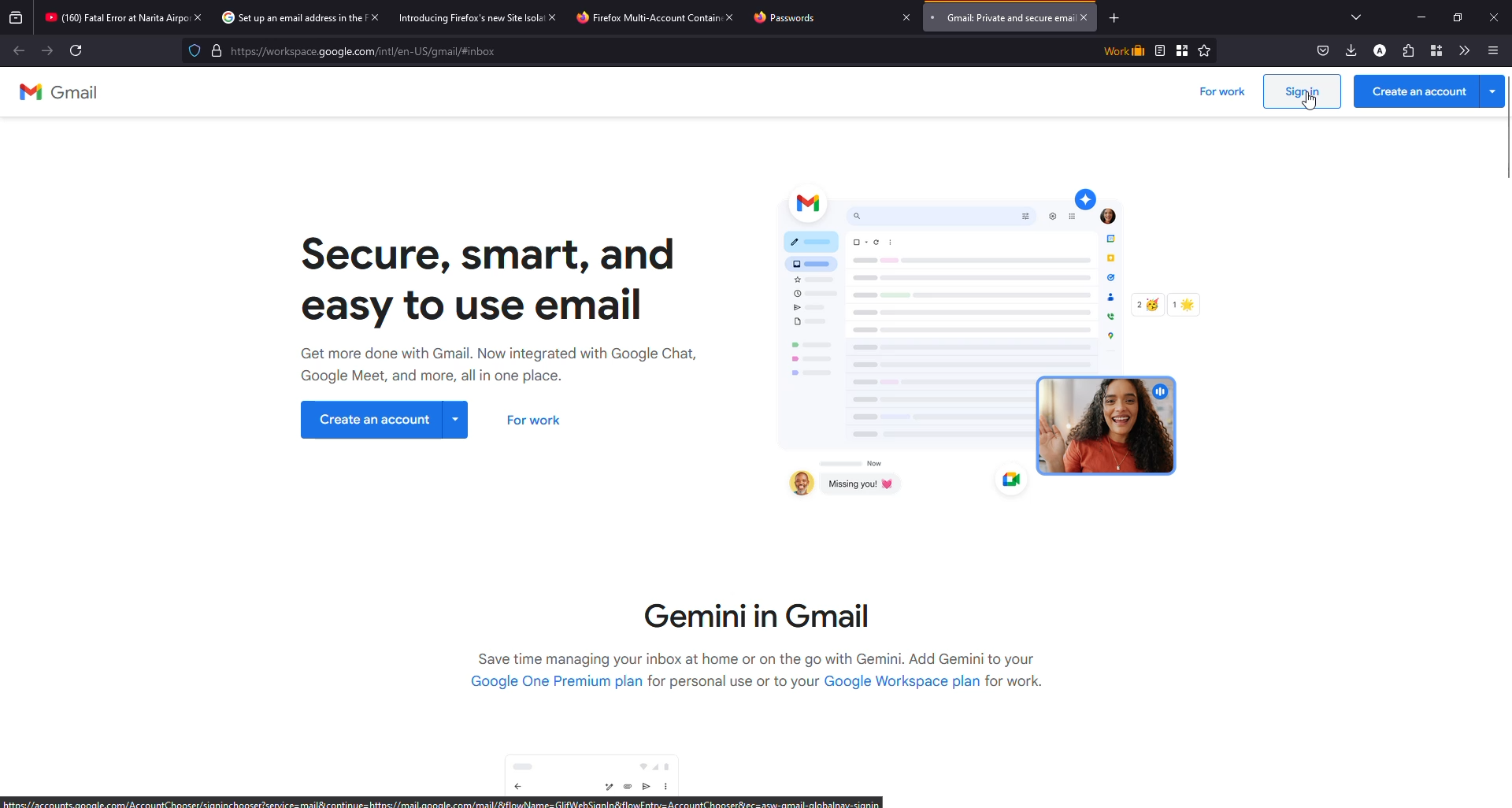  Describe the element at coordinates (599, 767) in the screenshot. I see `Dialog box` at that location.